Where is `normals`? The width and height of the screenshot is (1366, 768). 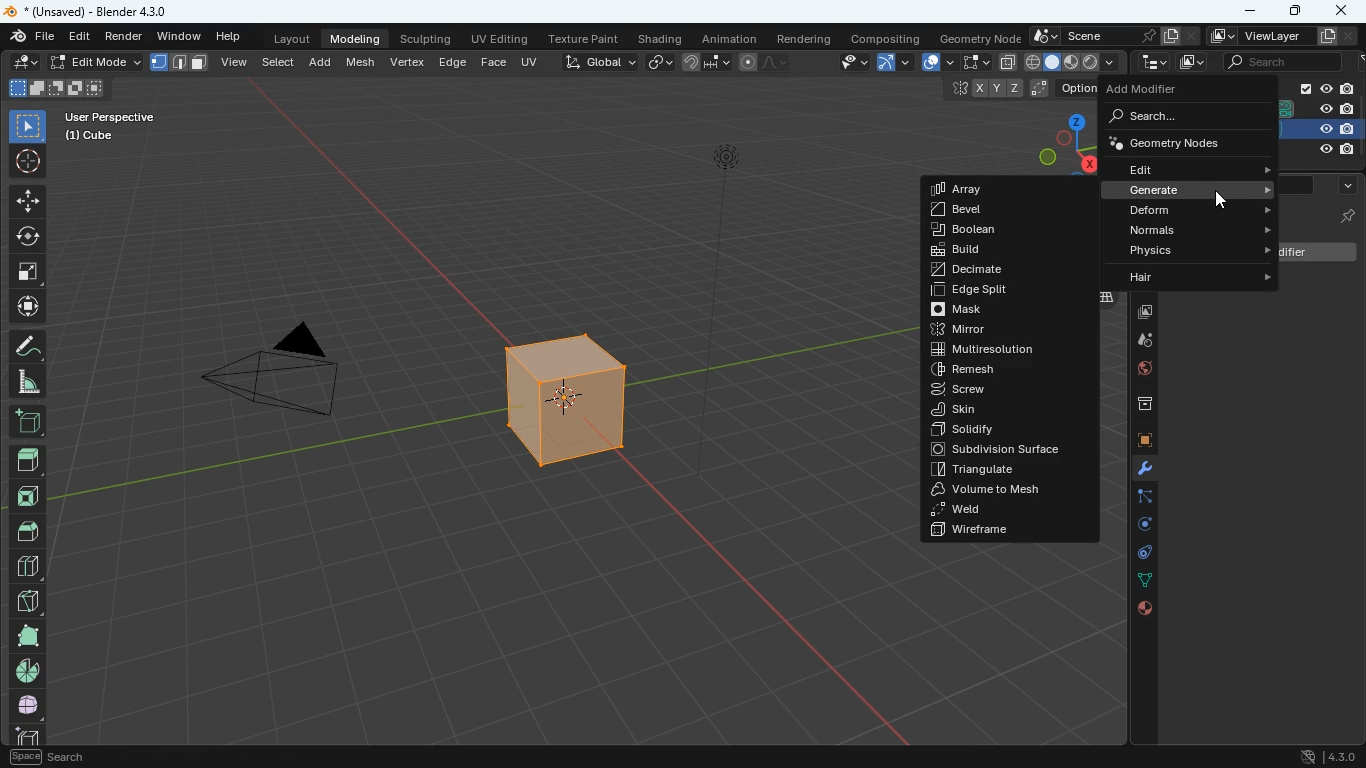
normals is located at coordinates (1176, 229).